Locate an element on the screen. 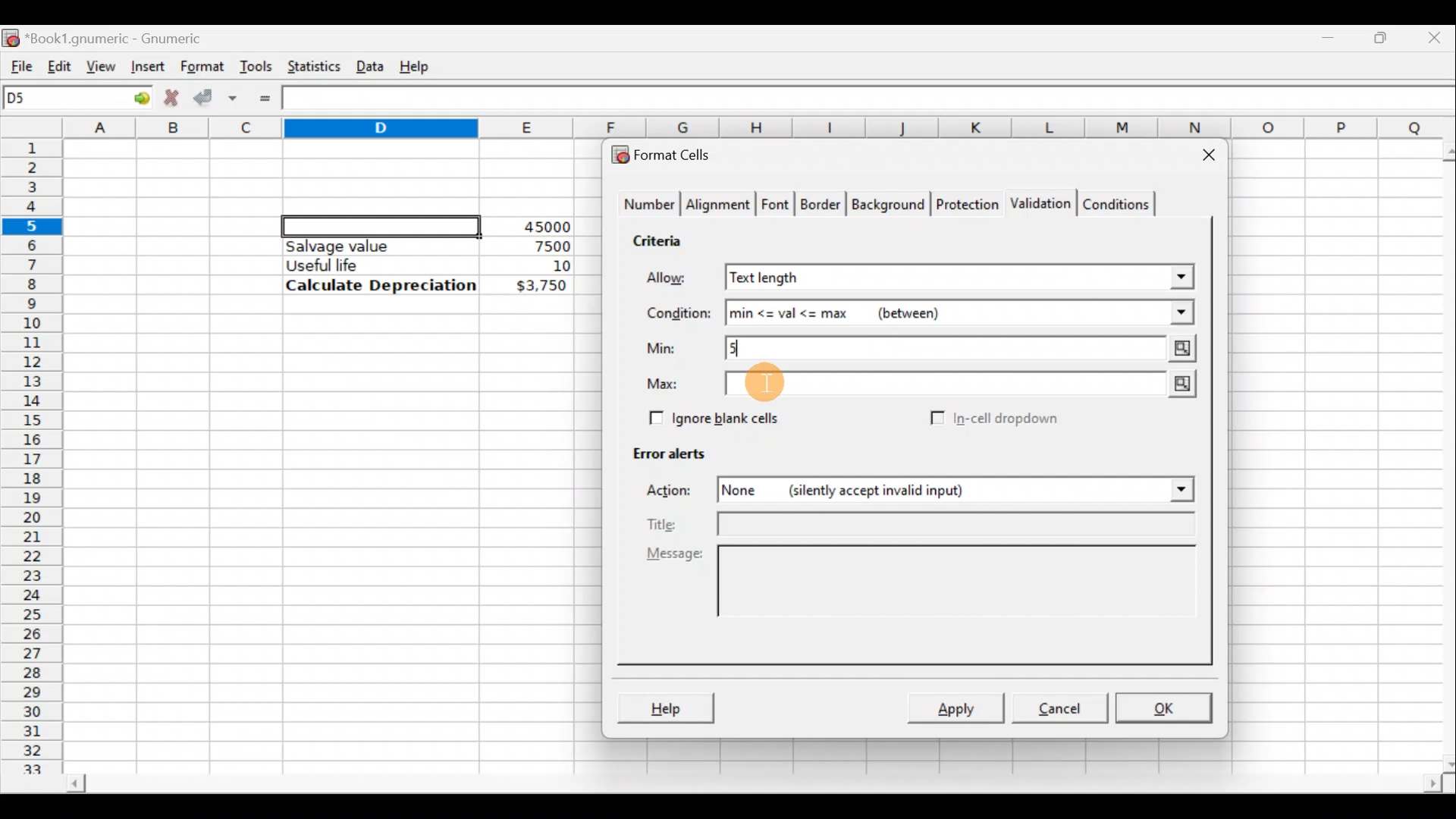  Condition is located at coordinates (678, 314).